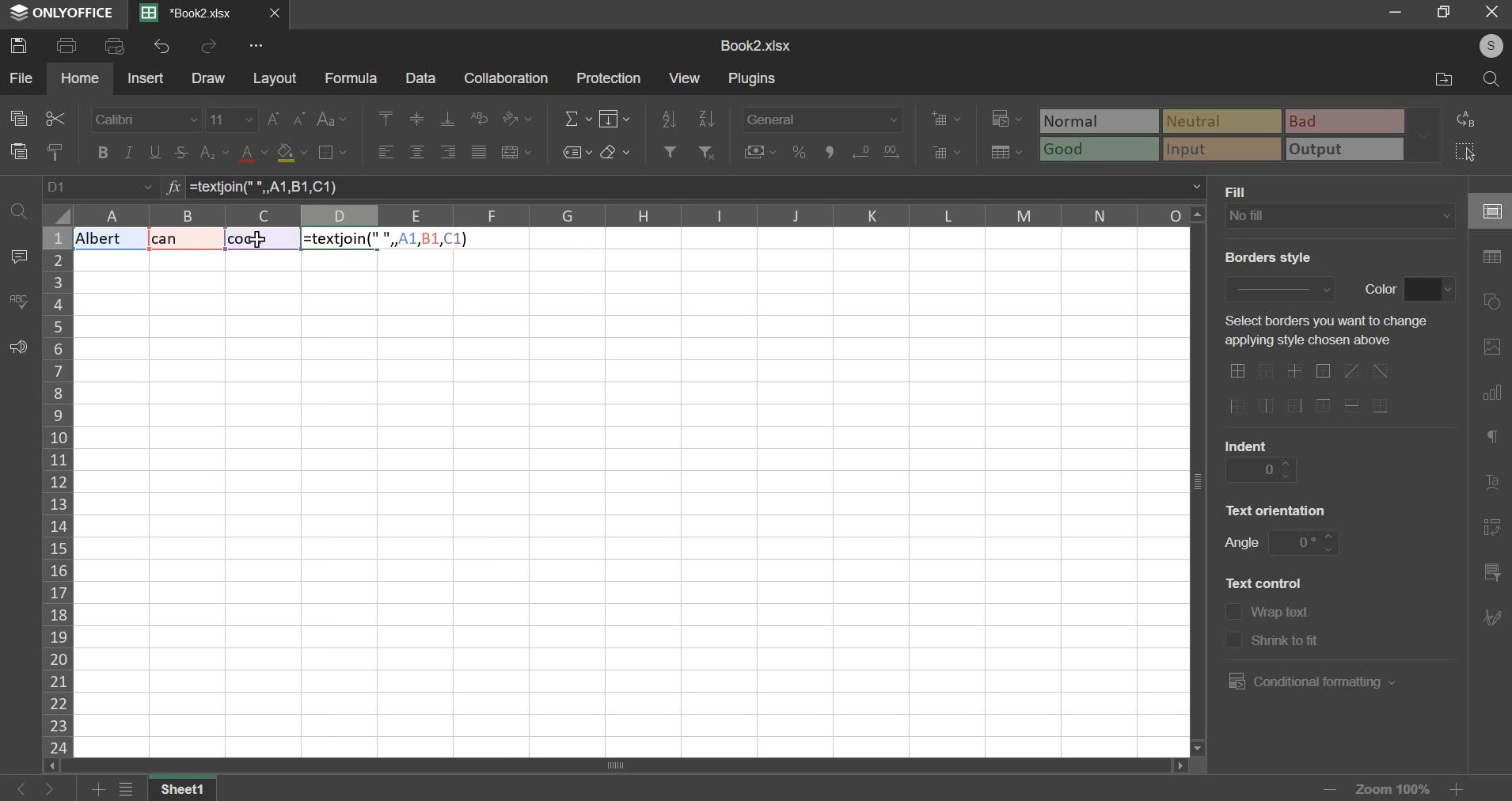 The image size is (1512, 801). Describe the element at coordinates (116, 46) in the screenshot. I see `print preview` at that location.